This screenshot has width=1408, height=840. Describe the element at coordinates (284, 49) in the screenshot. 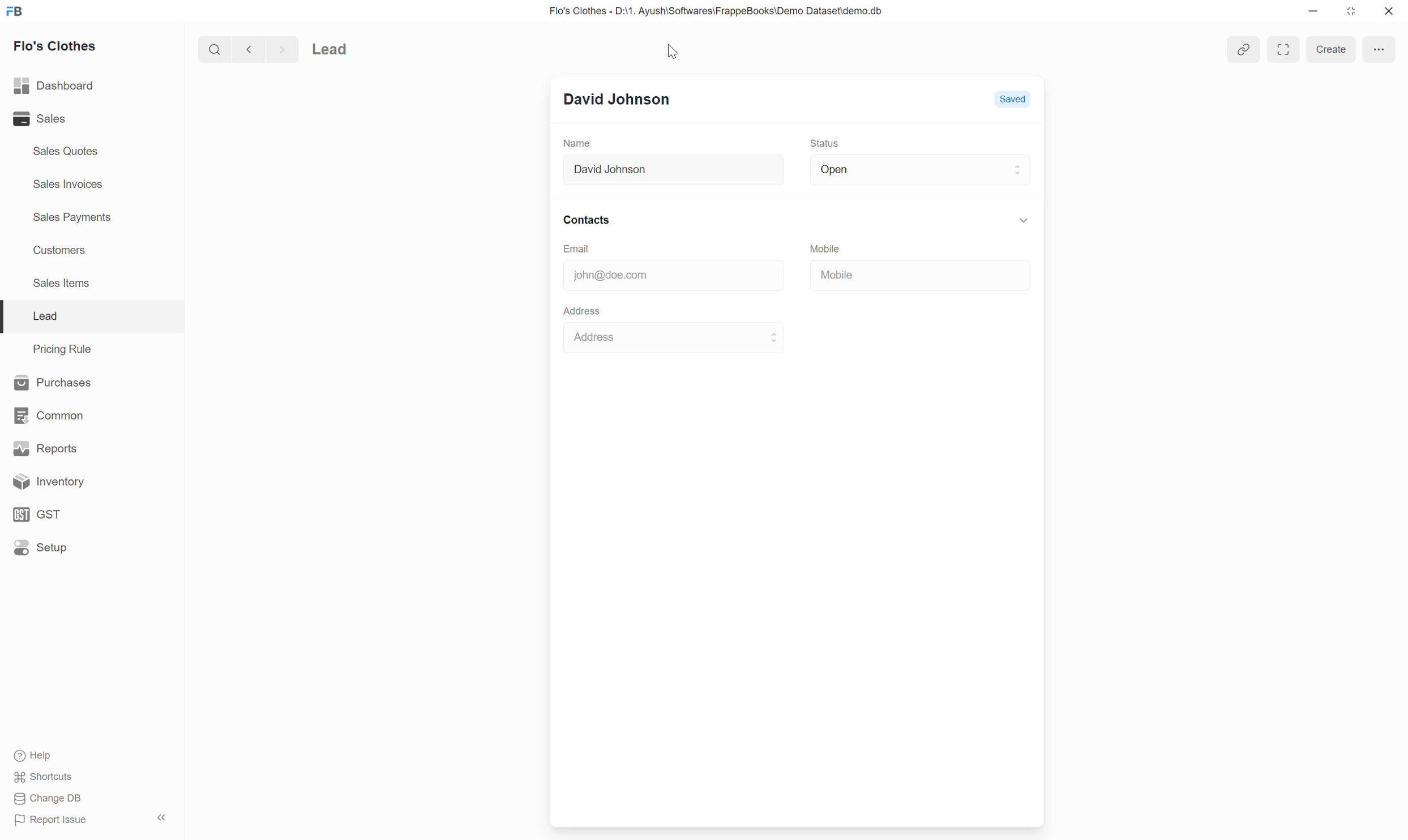

I see `FORWARD` at that location.